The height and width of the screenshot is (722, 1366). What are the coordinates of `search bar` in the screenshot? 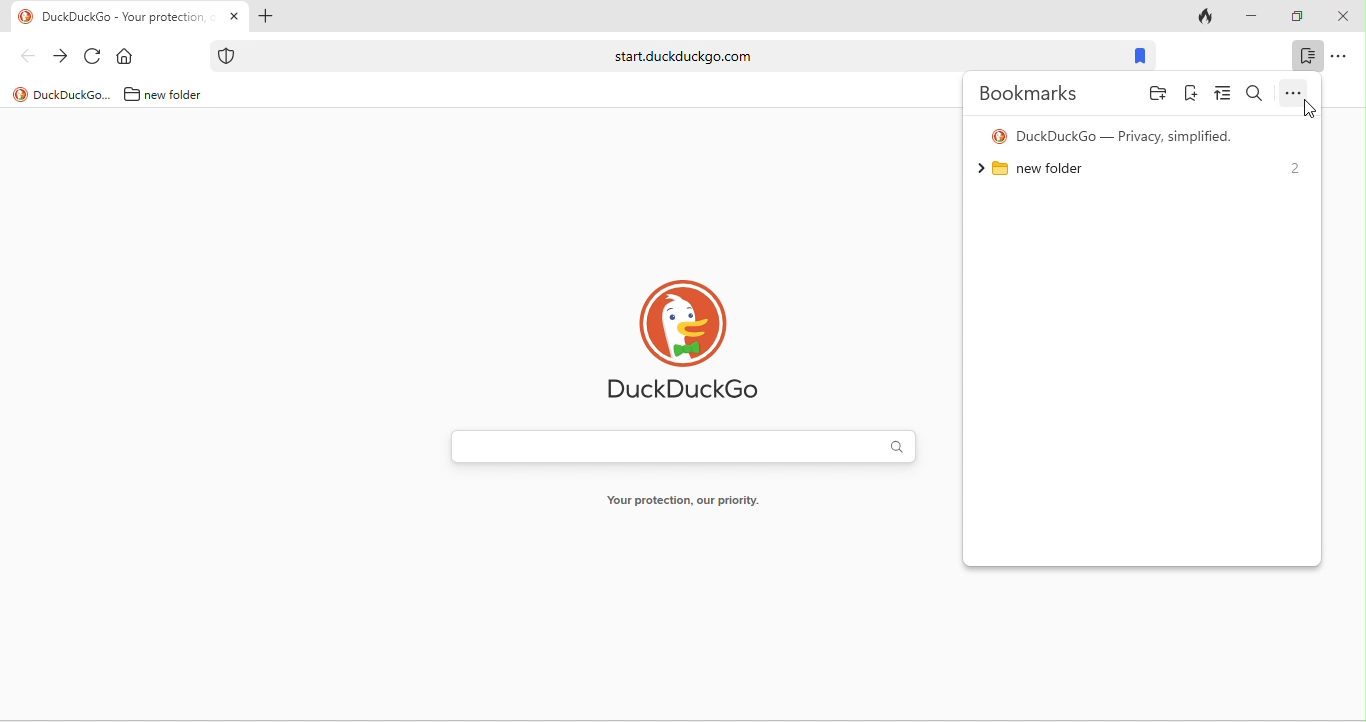 It's located at (685, 446).